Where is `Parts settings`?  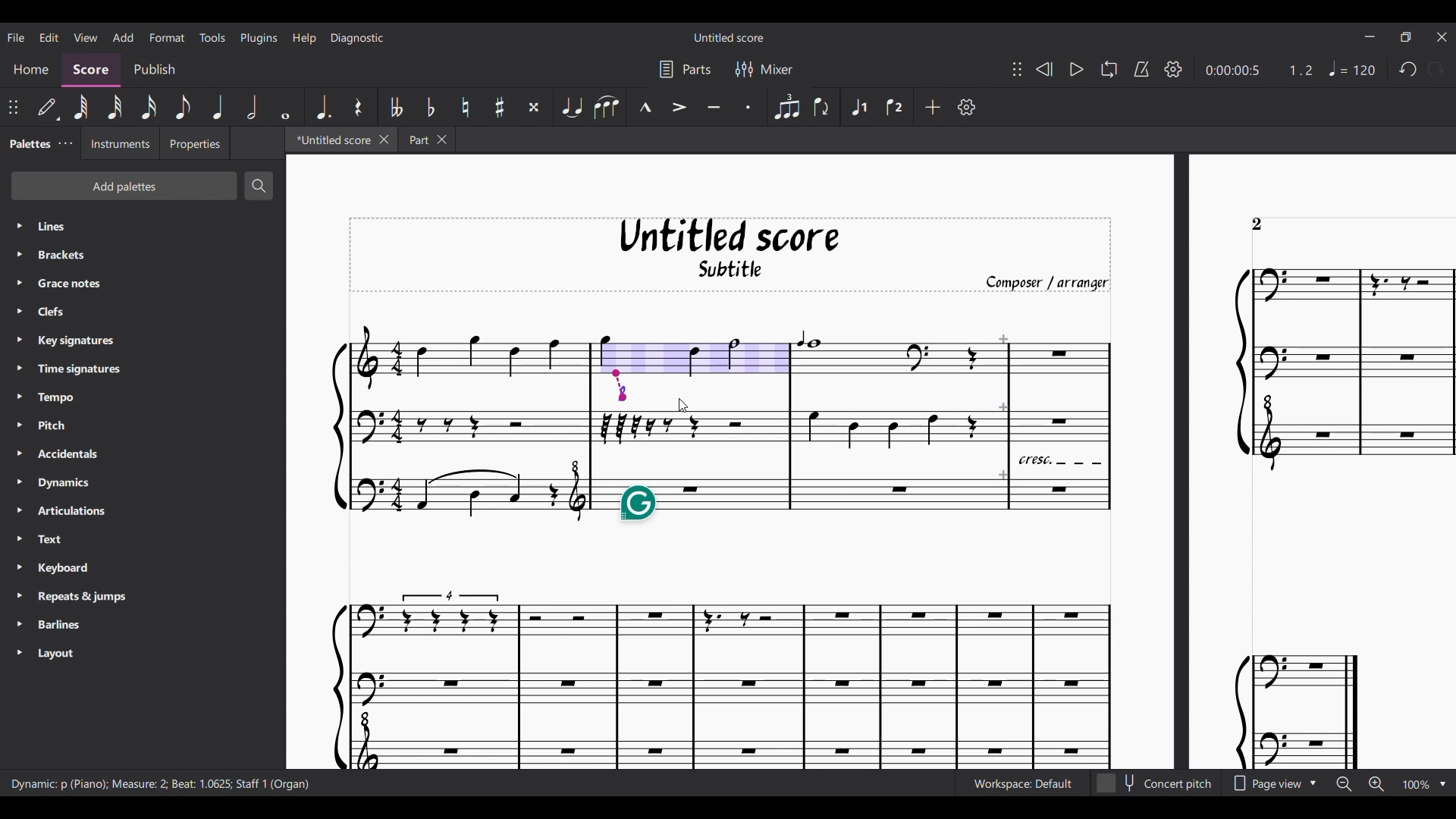 Parts settings is located at coordinates (686, 69).